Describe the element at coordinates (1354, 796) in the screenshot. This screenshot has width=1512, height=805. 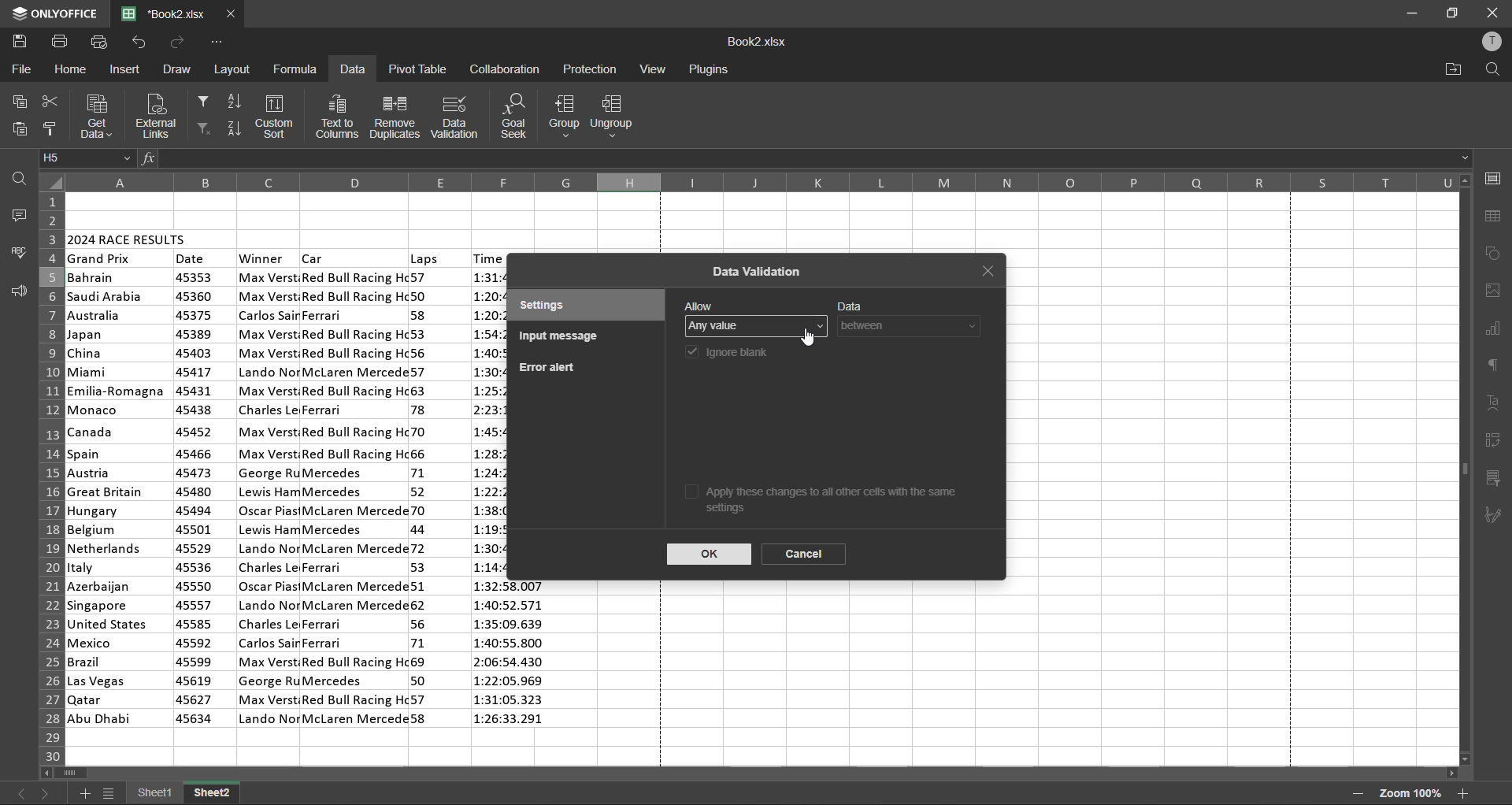
I see `zoom out` at that location.